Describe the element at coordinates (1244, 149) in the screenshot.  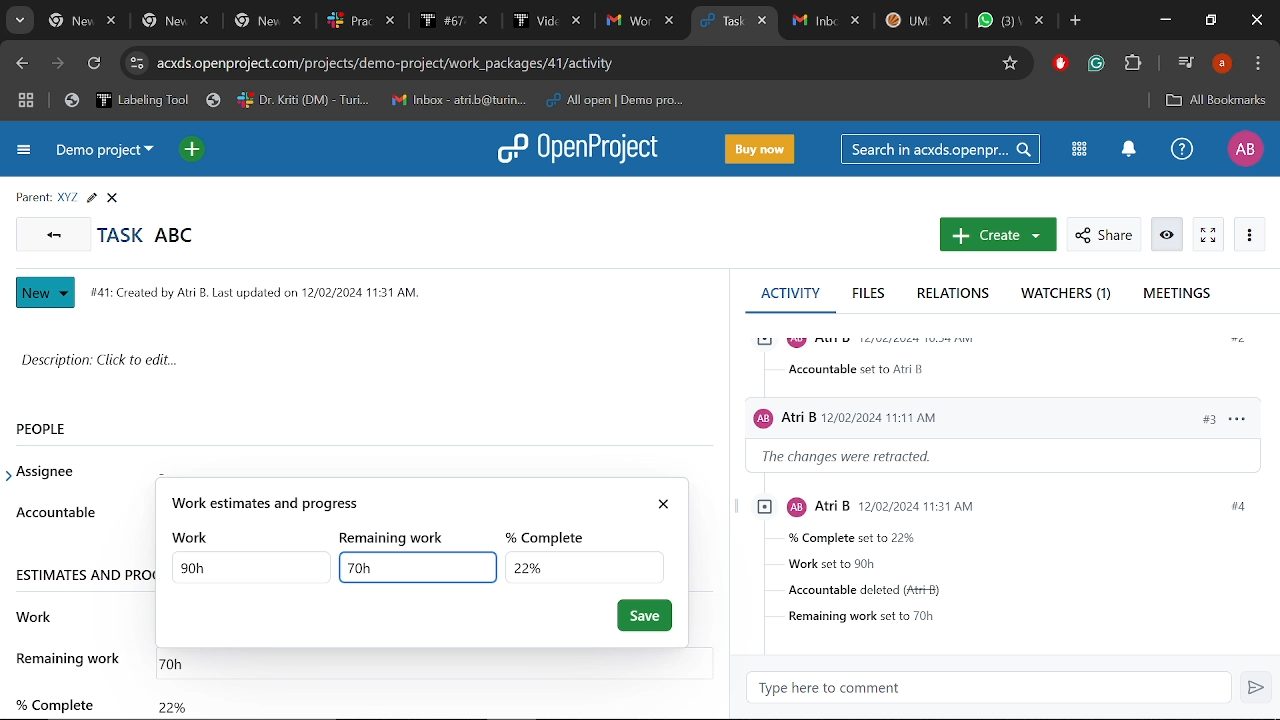
I see `Profile` at that location.